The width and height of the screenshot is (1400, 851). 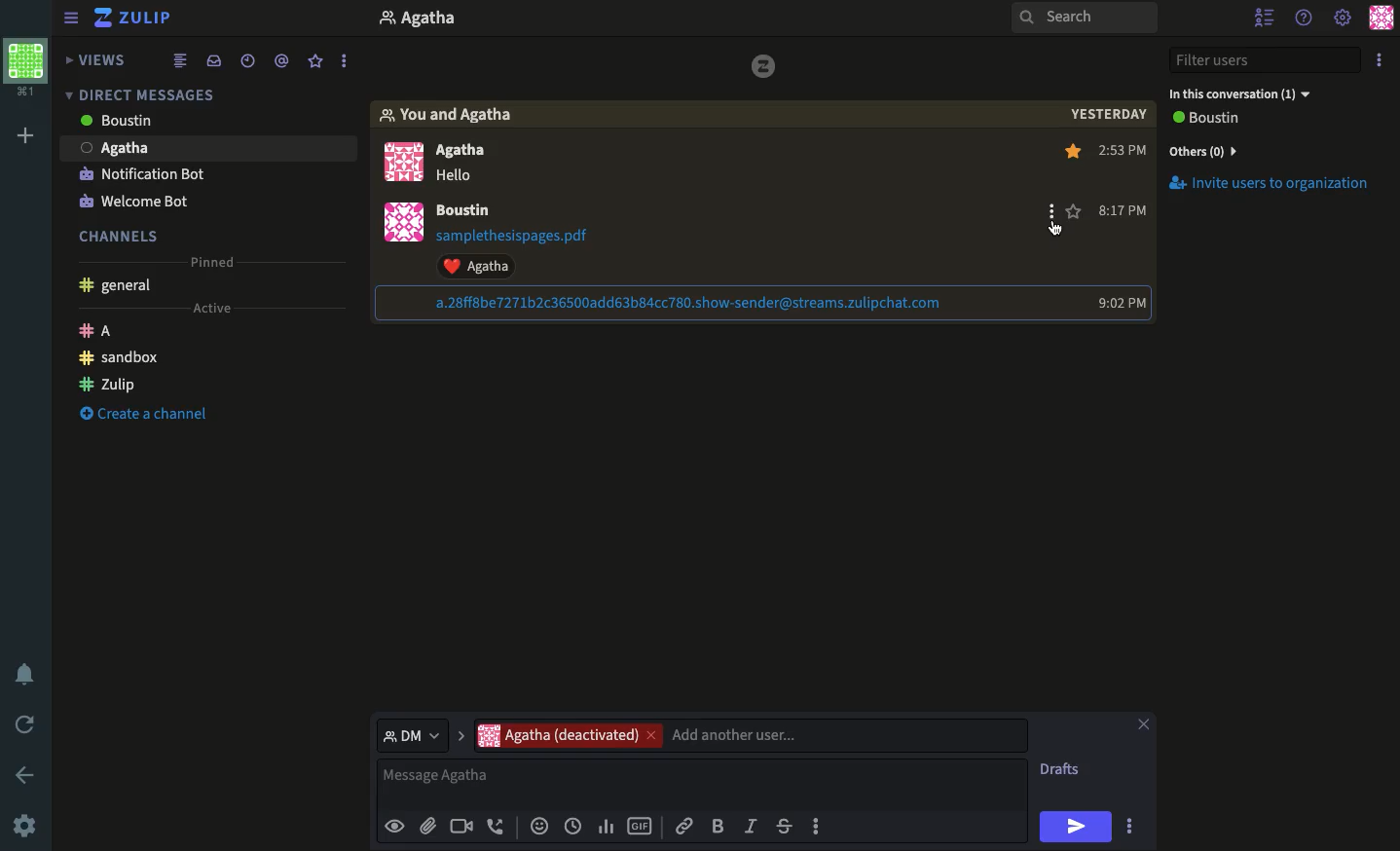 I want to click on Inbox, so click(x=203, y=91).